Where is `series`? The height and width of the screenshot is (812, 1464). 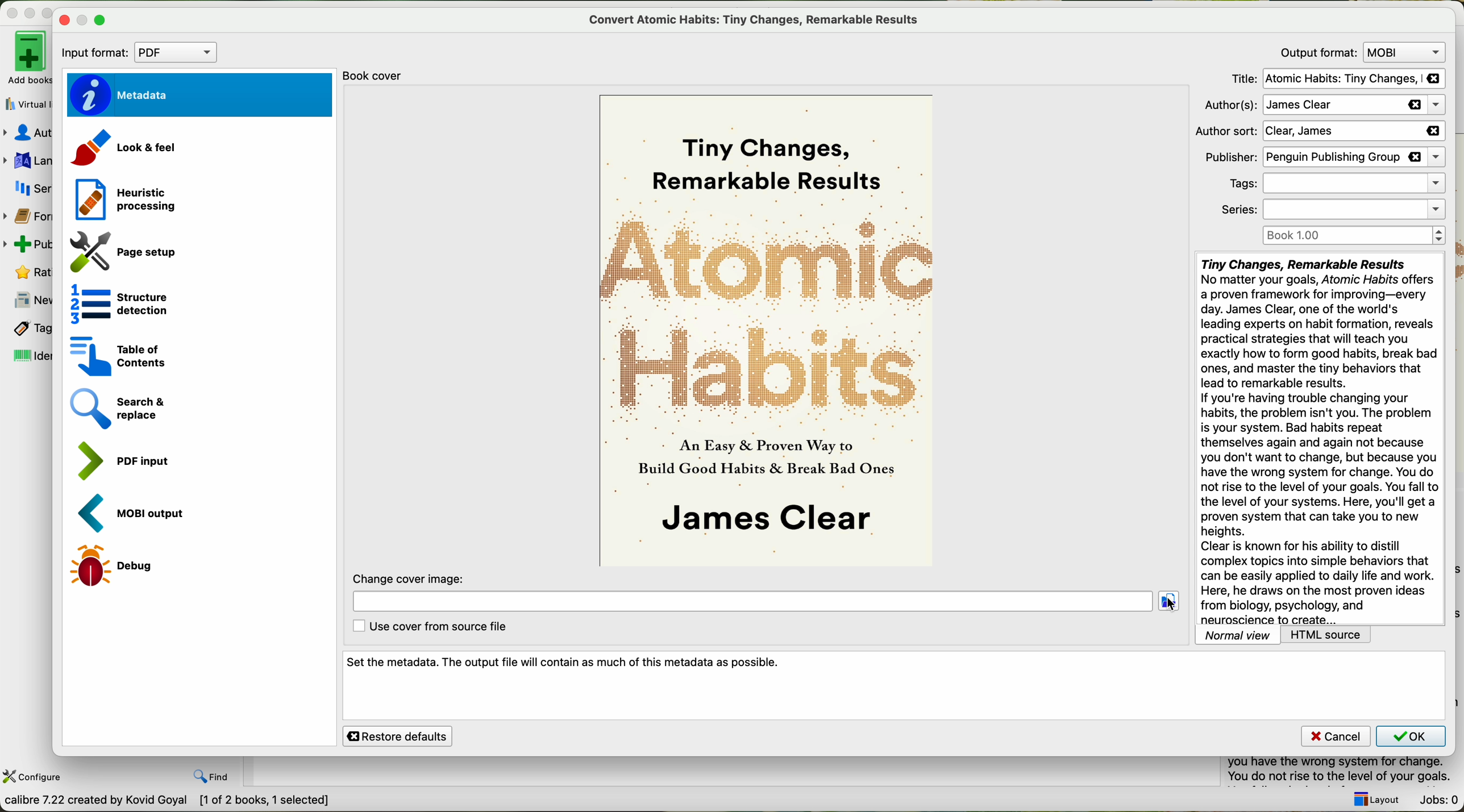 series is located at coordinates (1333, 210).